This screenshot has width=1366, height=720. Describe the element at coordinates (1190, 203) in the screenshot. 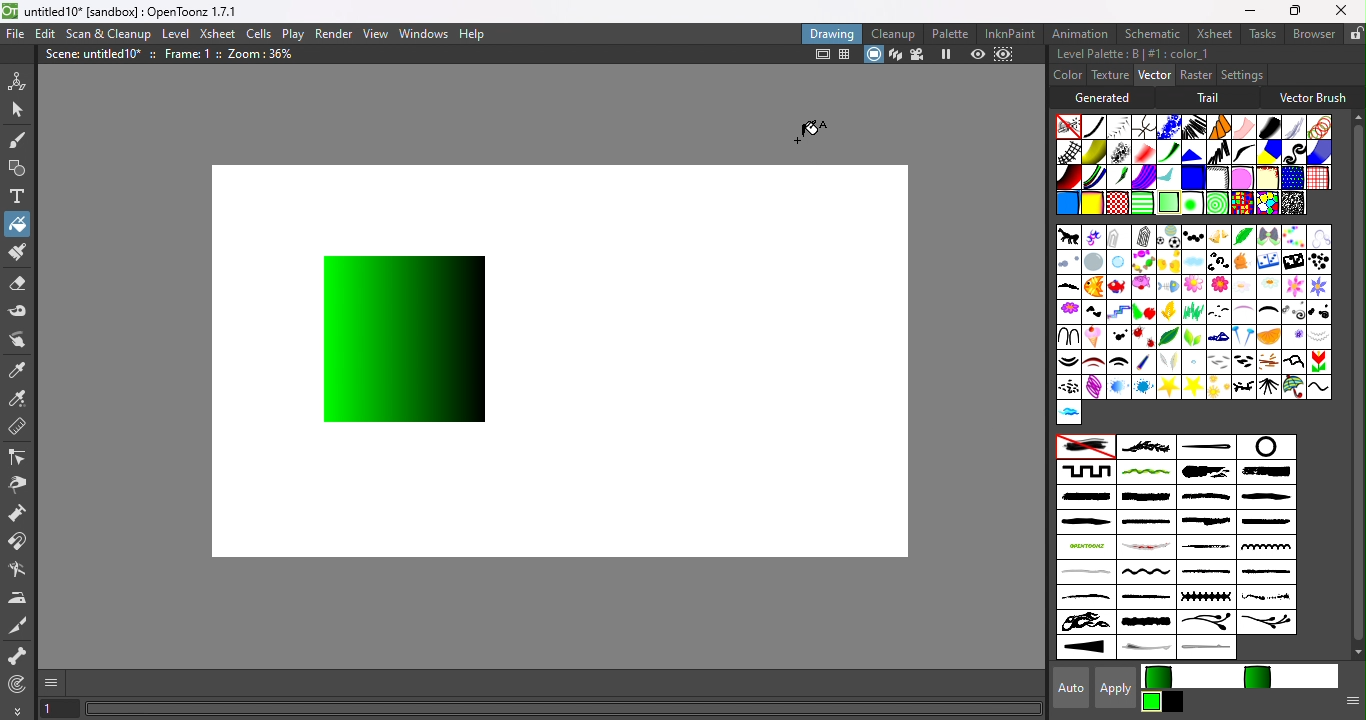

I see `Radial gradient` at that location.